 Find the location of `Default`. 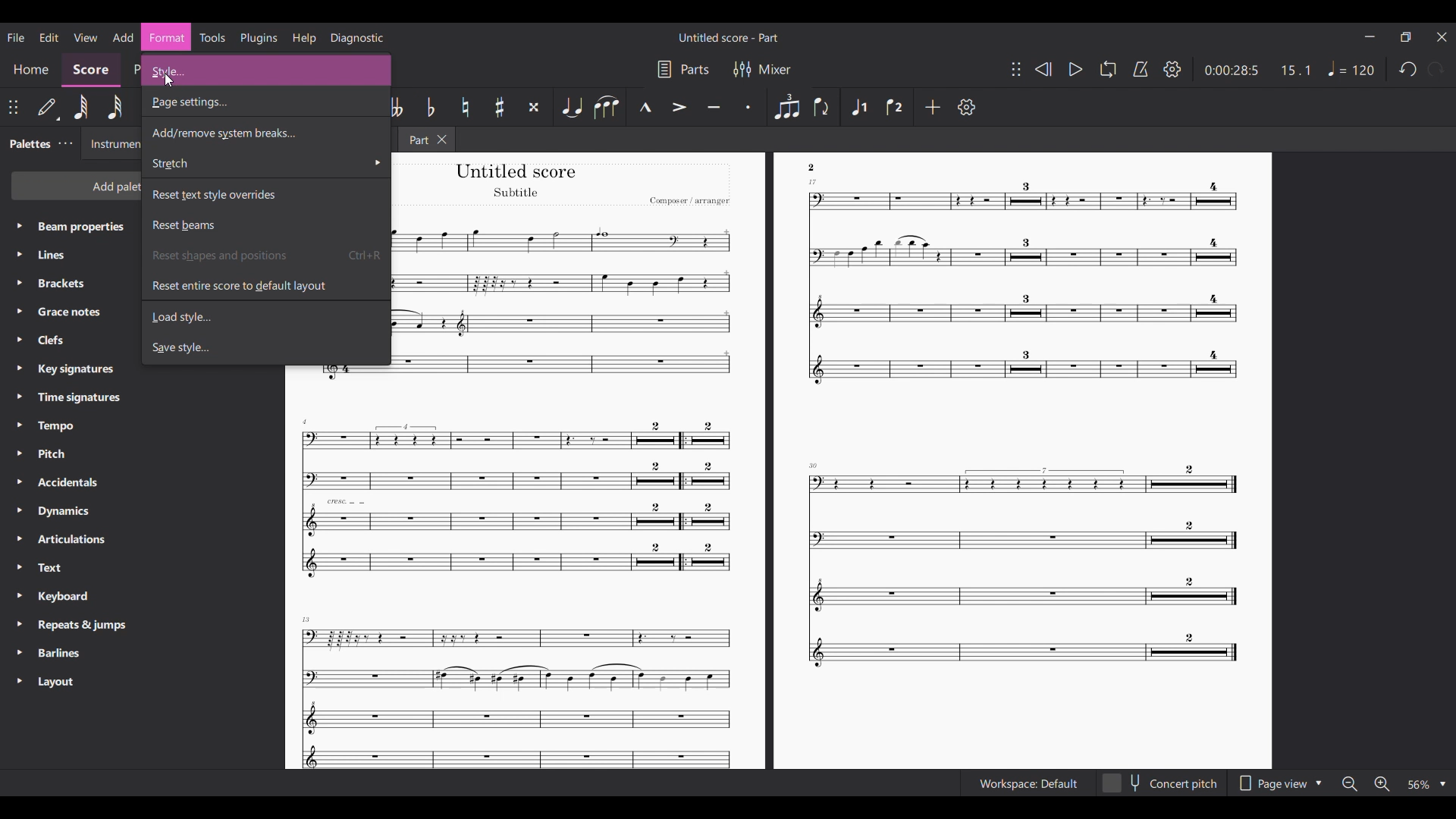

Default is located at coordinates (47, 107).